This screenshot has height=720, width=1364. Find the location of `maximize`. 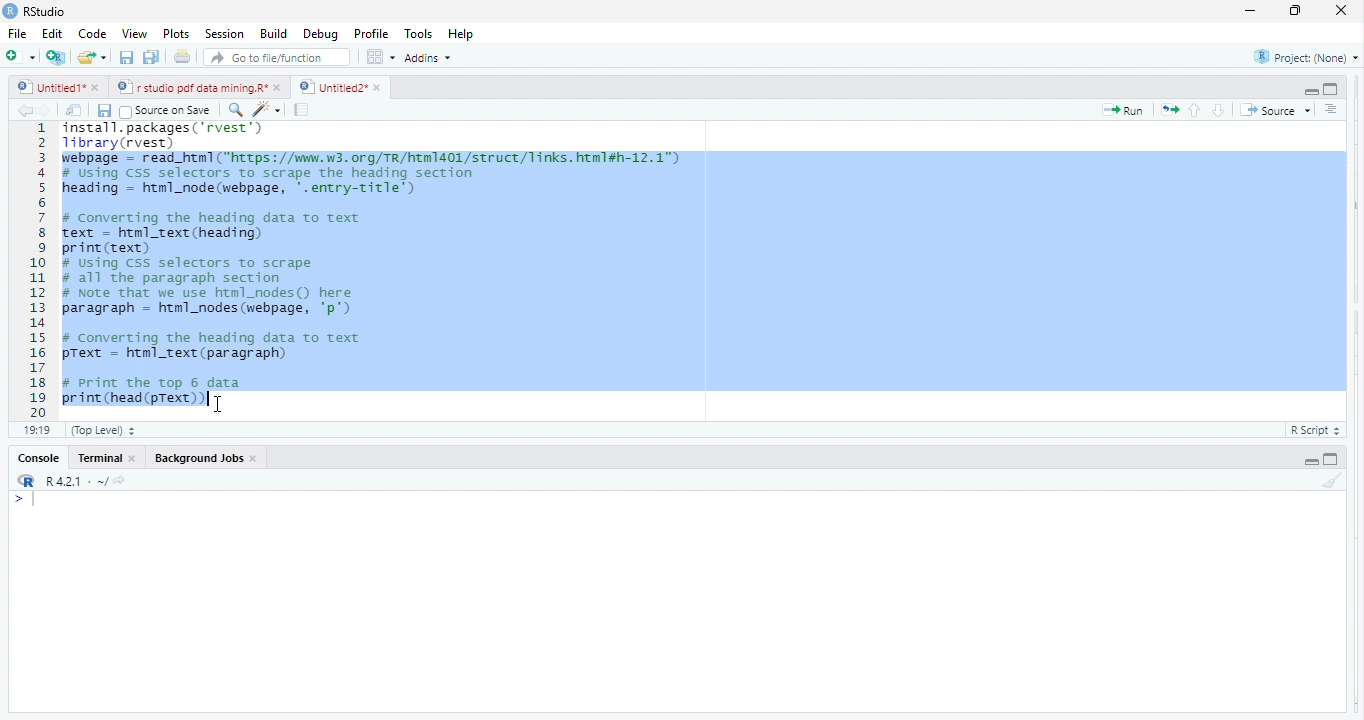

maximize is located at coordinates (1248, 13).